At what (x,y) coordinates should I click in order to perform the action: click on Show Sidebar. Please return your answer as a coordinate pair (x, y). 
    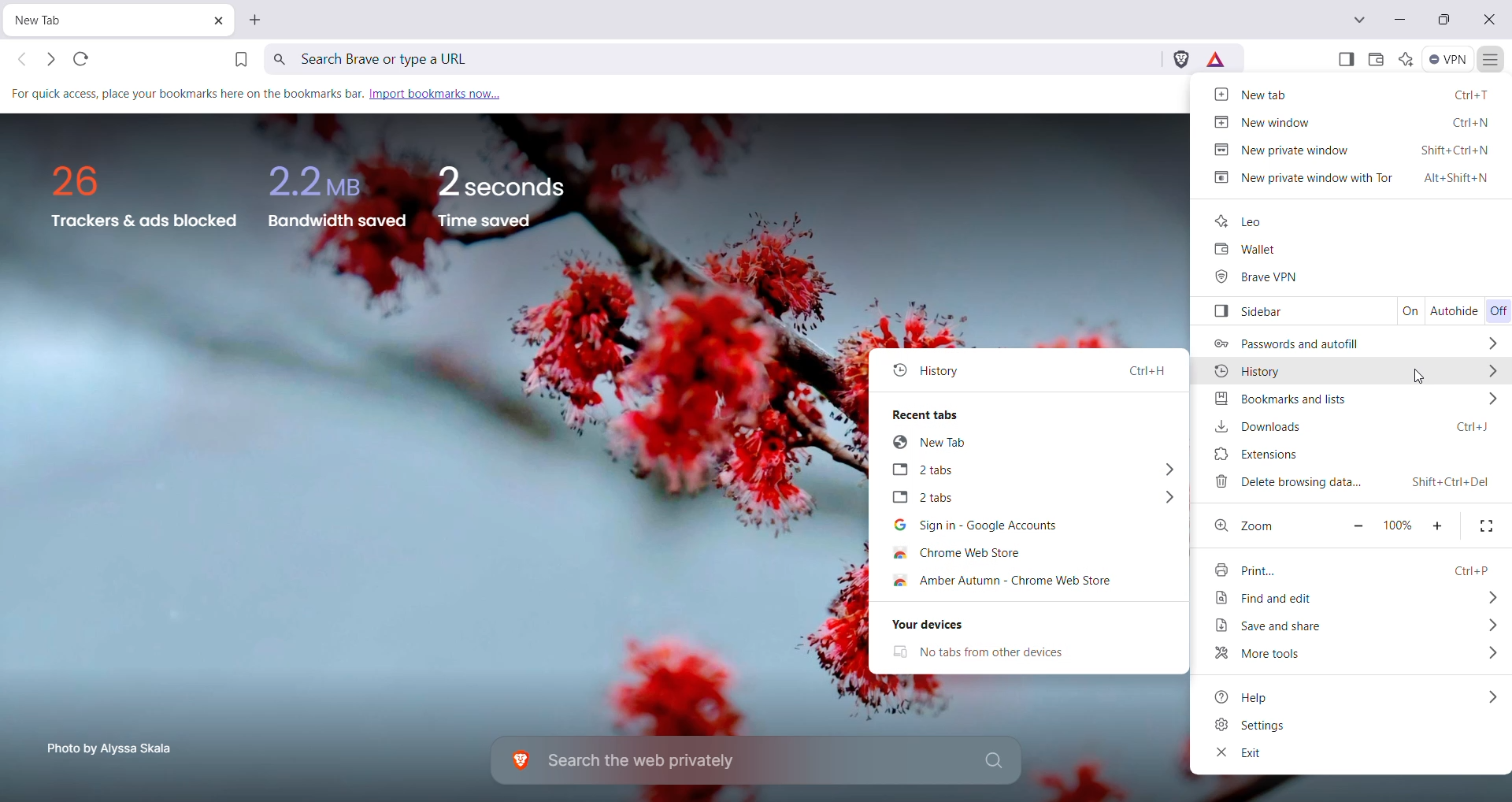
    Looking at the image, I should click on (1345, 59).